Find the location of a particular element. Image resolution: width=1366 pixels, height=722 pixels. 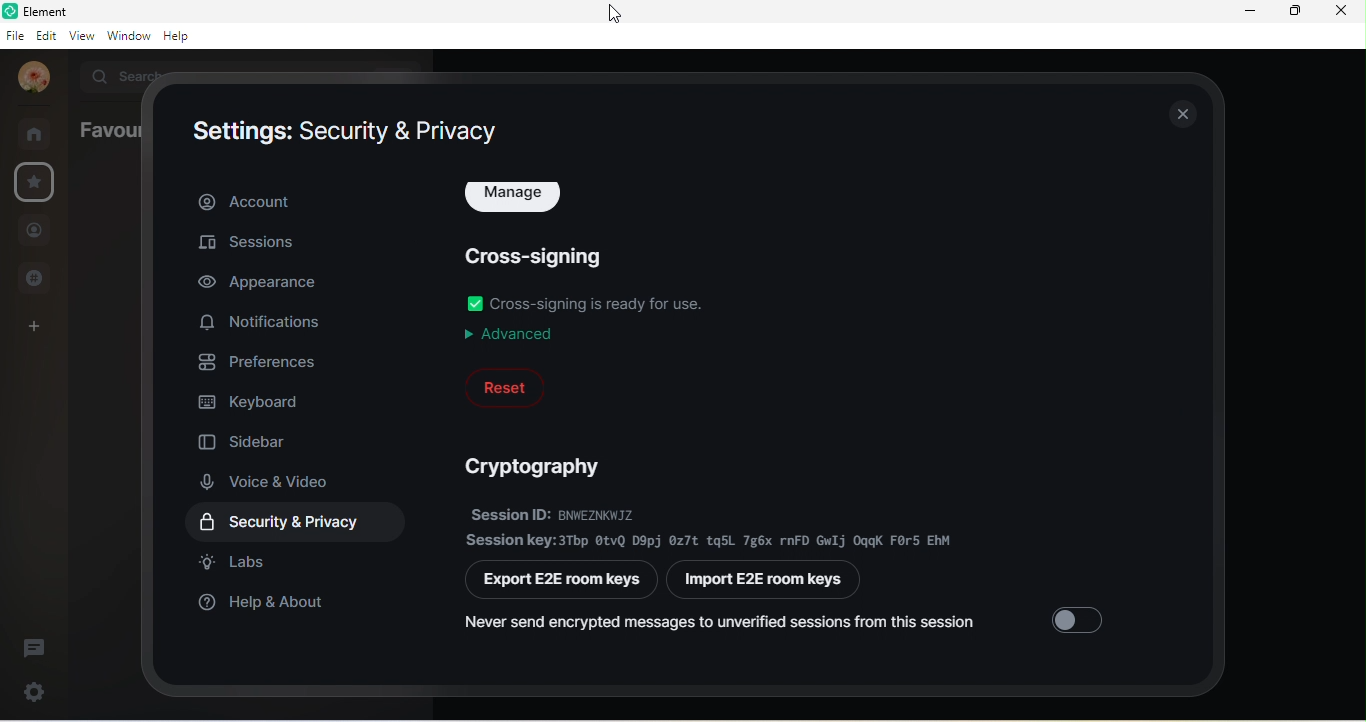

help is located at coordinates (181, 36).